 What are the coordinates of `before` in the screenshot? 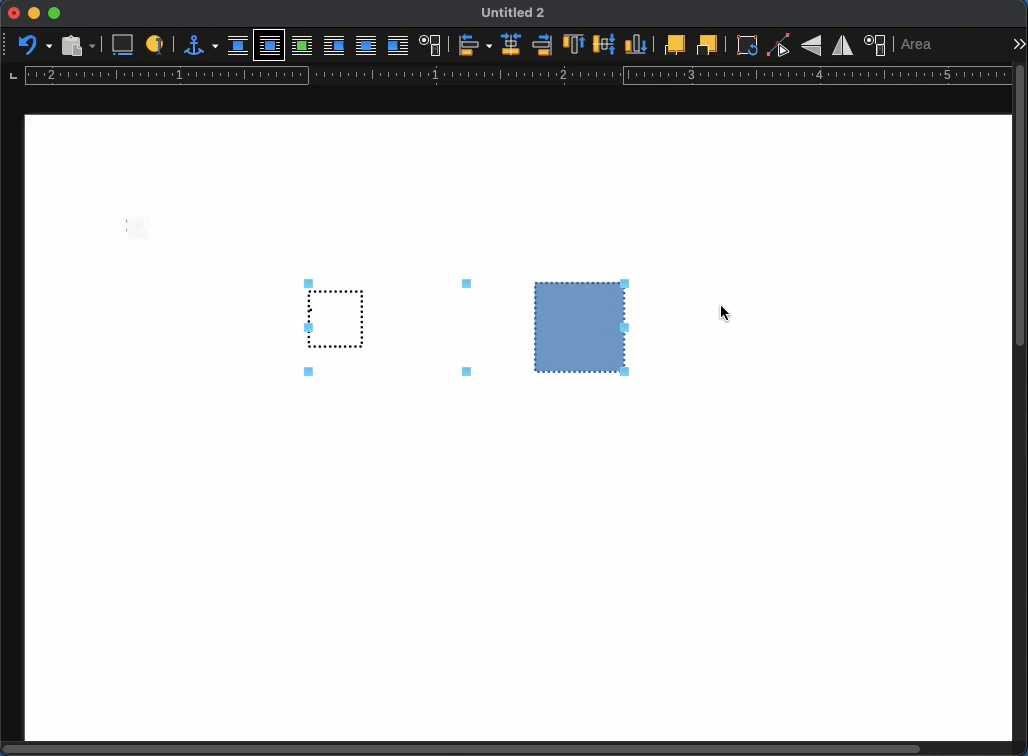 It's located at (334, 46).